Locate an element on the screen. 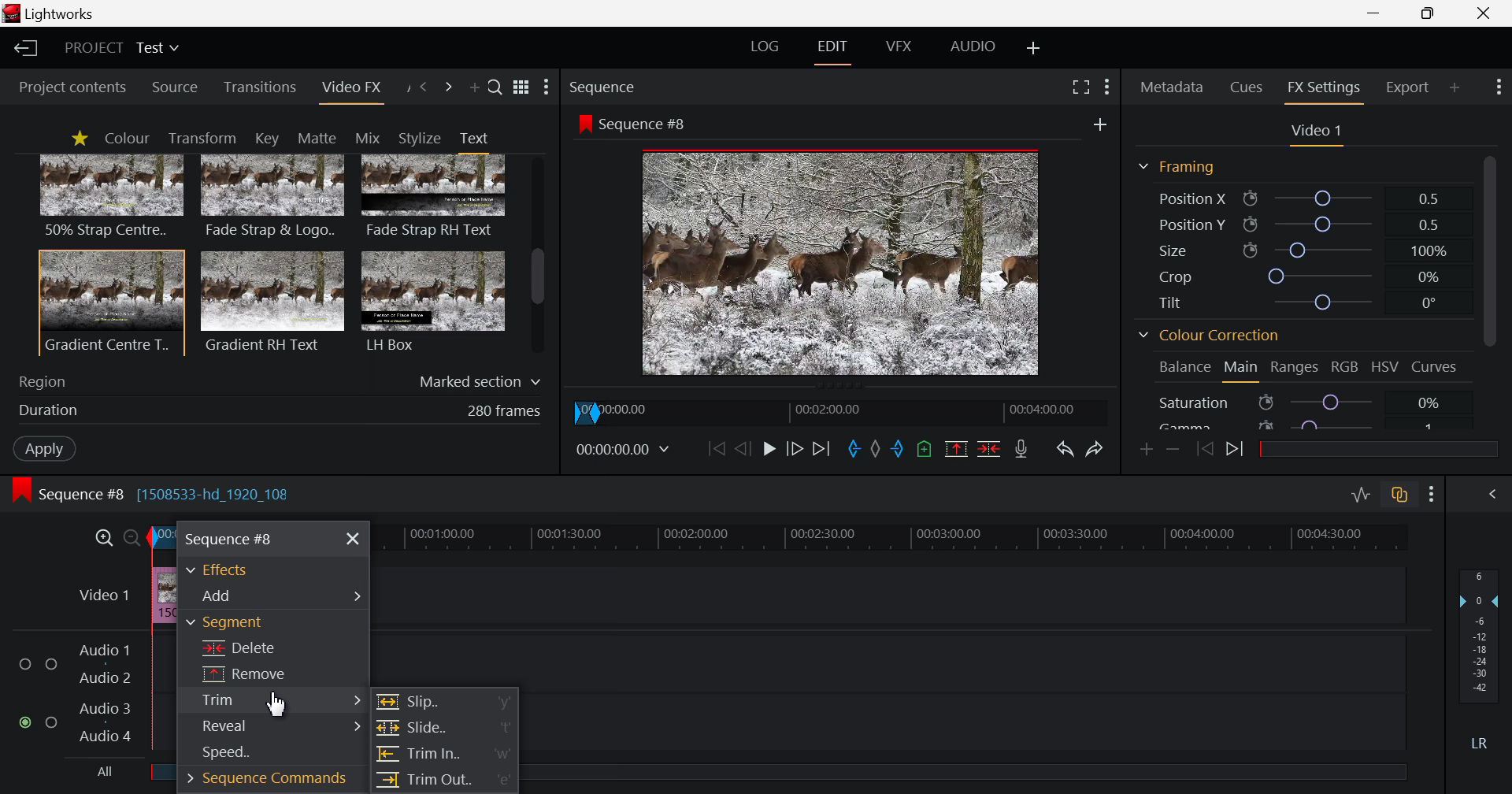 The height and width of the screenshot is (794, 1512). Source is located at coordinates (175, 88).